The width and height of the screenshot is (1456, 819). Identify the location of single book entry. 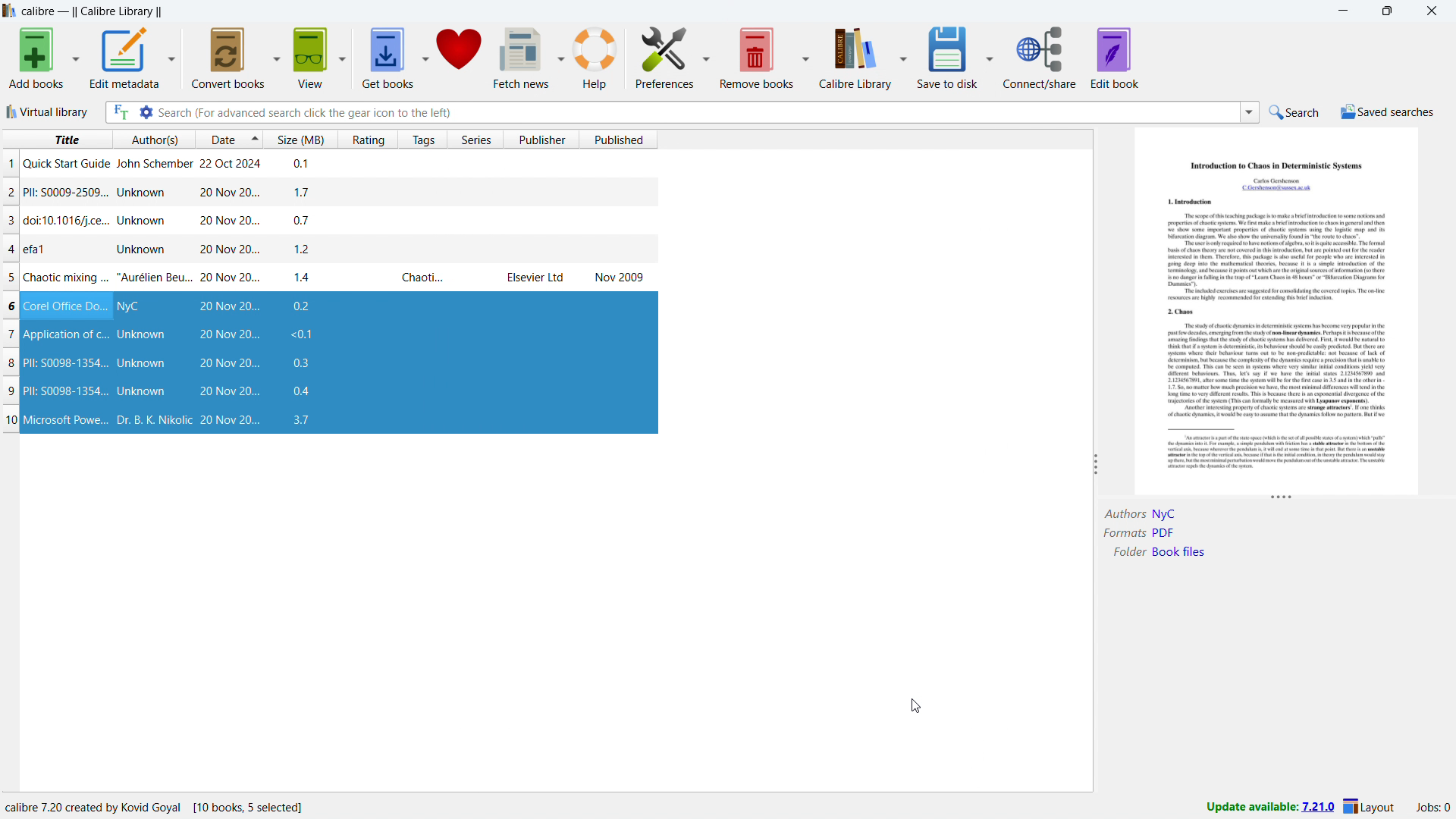
(326, 165).